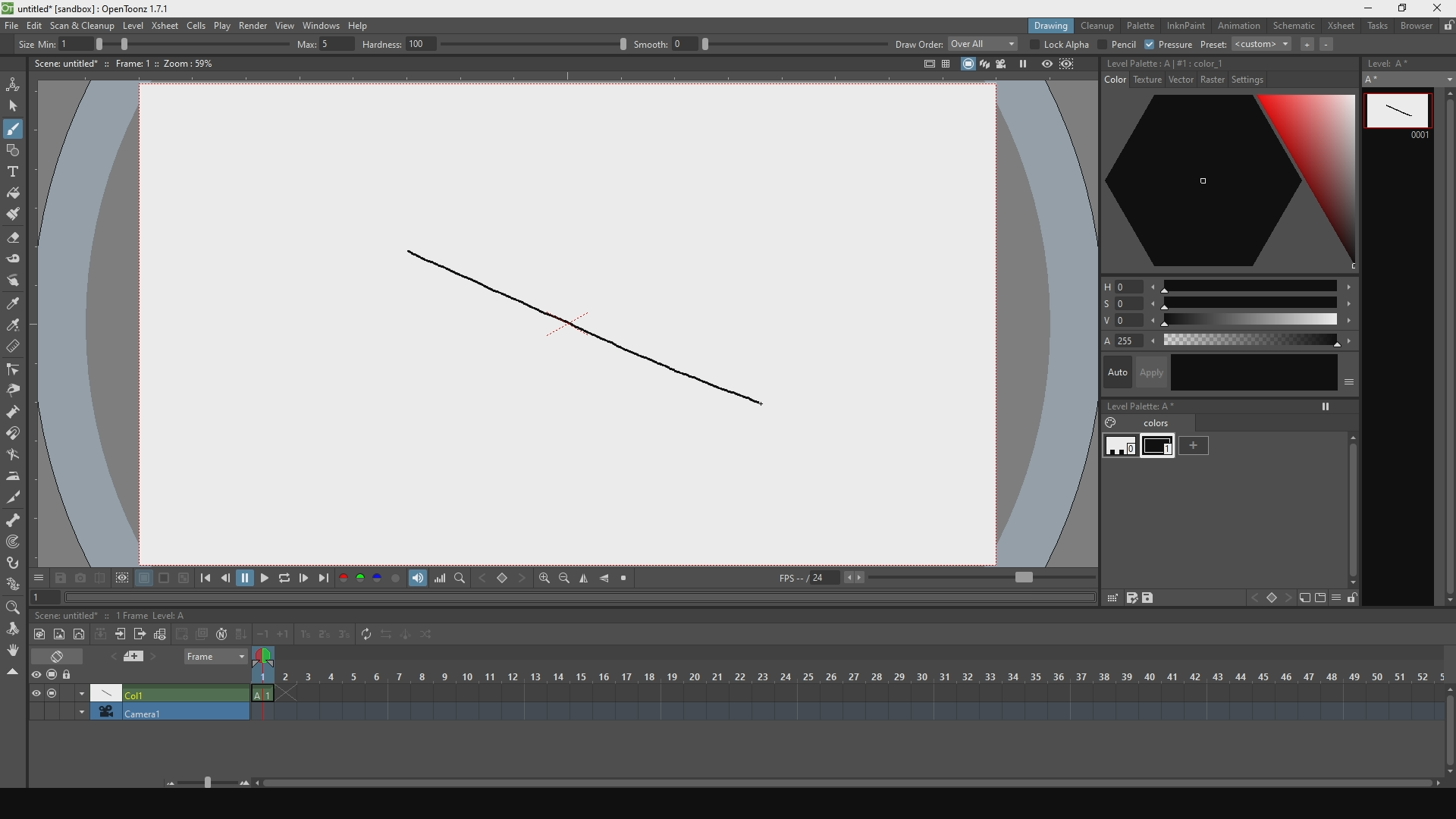 The width and height of the screenshot is (1456, 819). I want to click on vector, so click(1180, 79).